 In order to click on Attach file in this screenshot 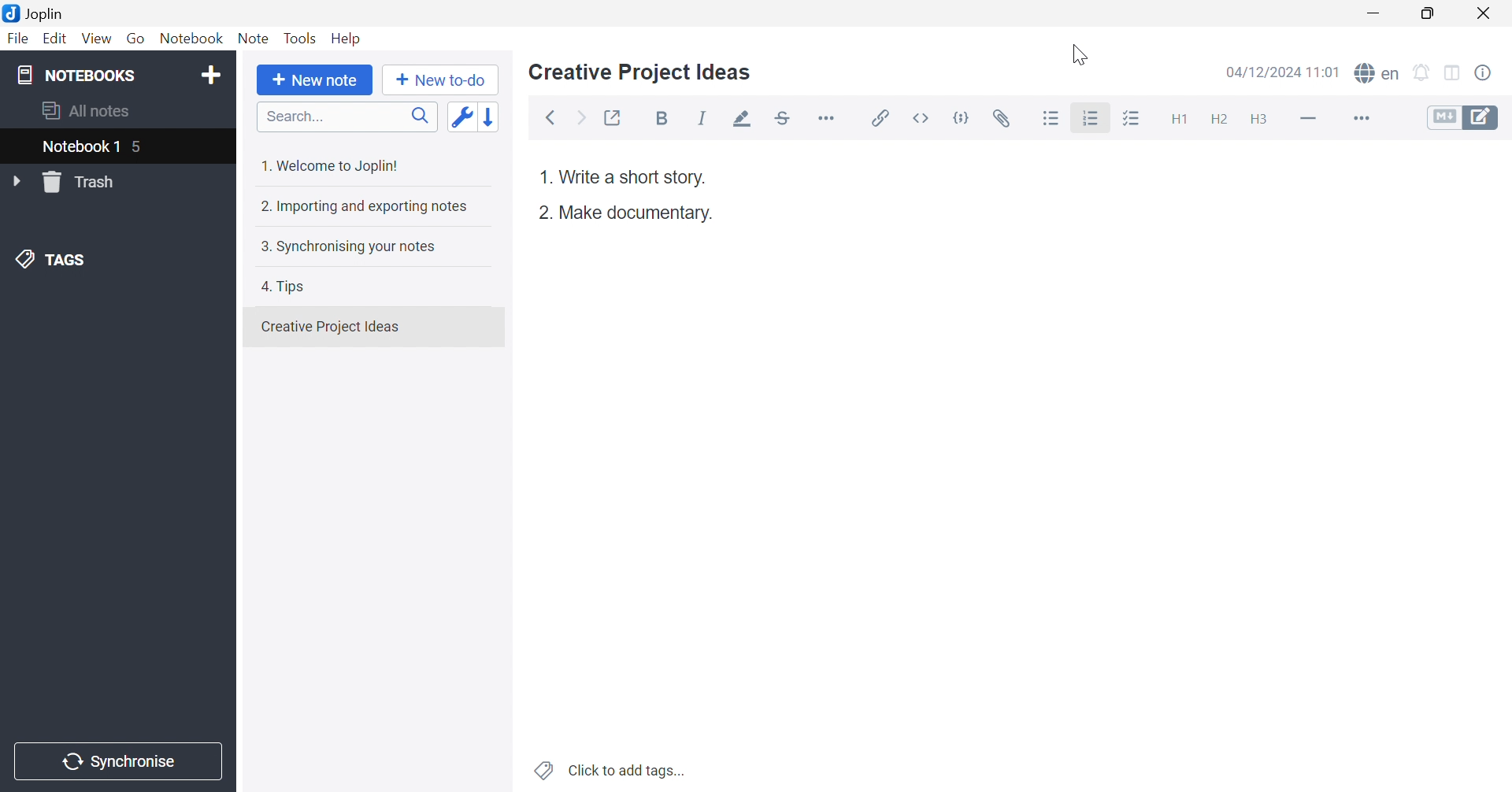, I will do `click(1007, 120)`.